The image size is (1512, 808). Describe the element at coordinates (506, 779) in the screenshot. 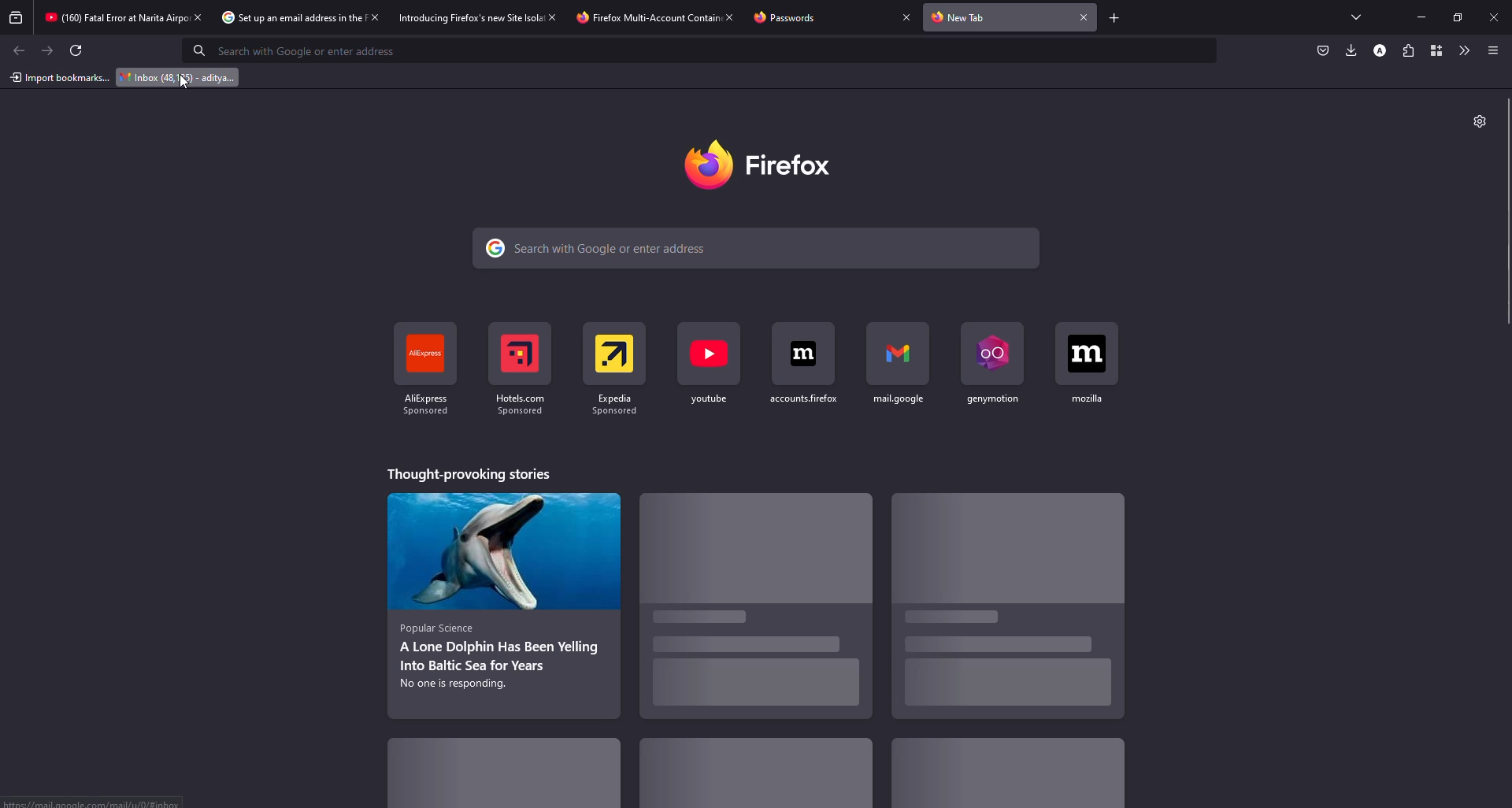

I see `stories` at that location.